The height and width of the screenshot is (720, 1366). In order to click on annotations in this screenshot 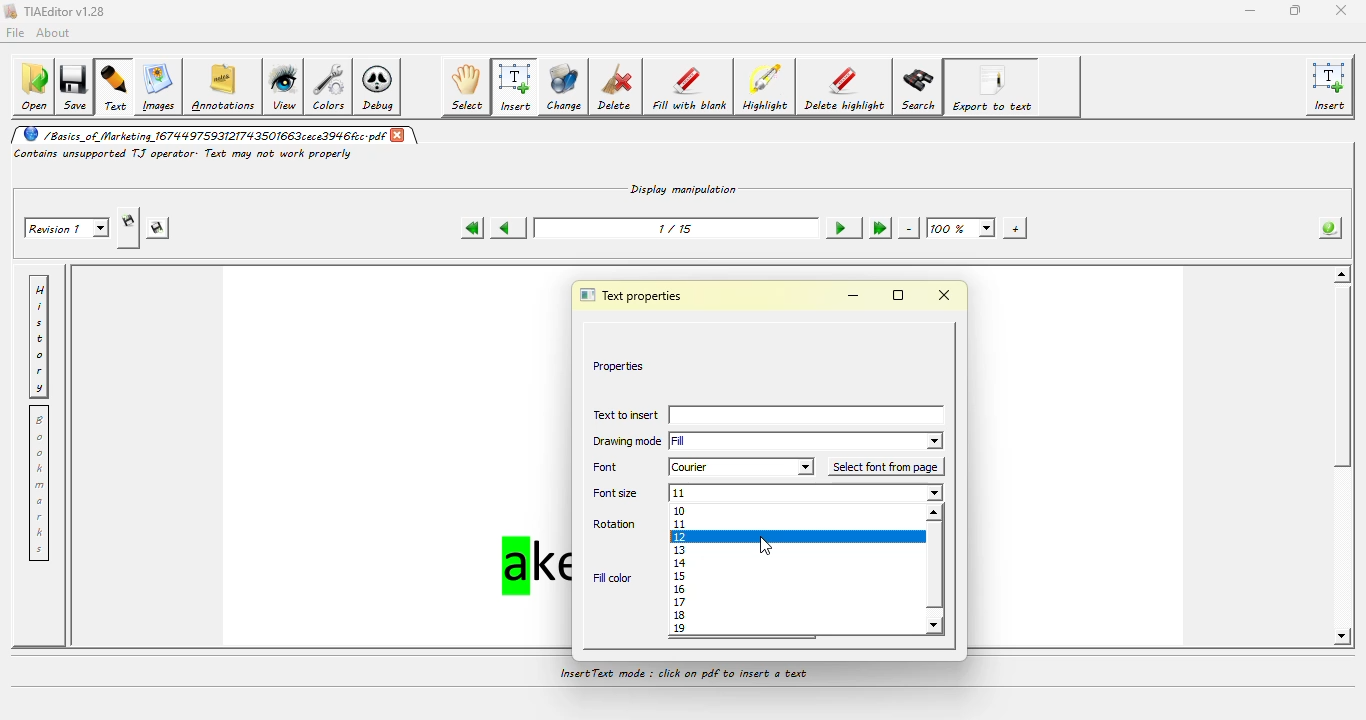, I will do `click(225, 86)`.